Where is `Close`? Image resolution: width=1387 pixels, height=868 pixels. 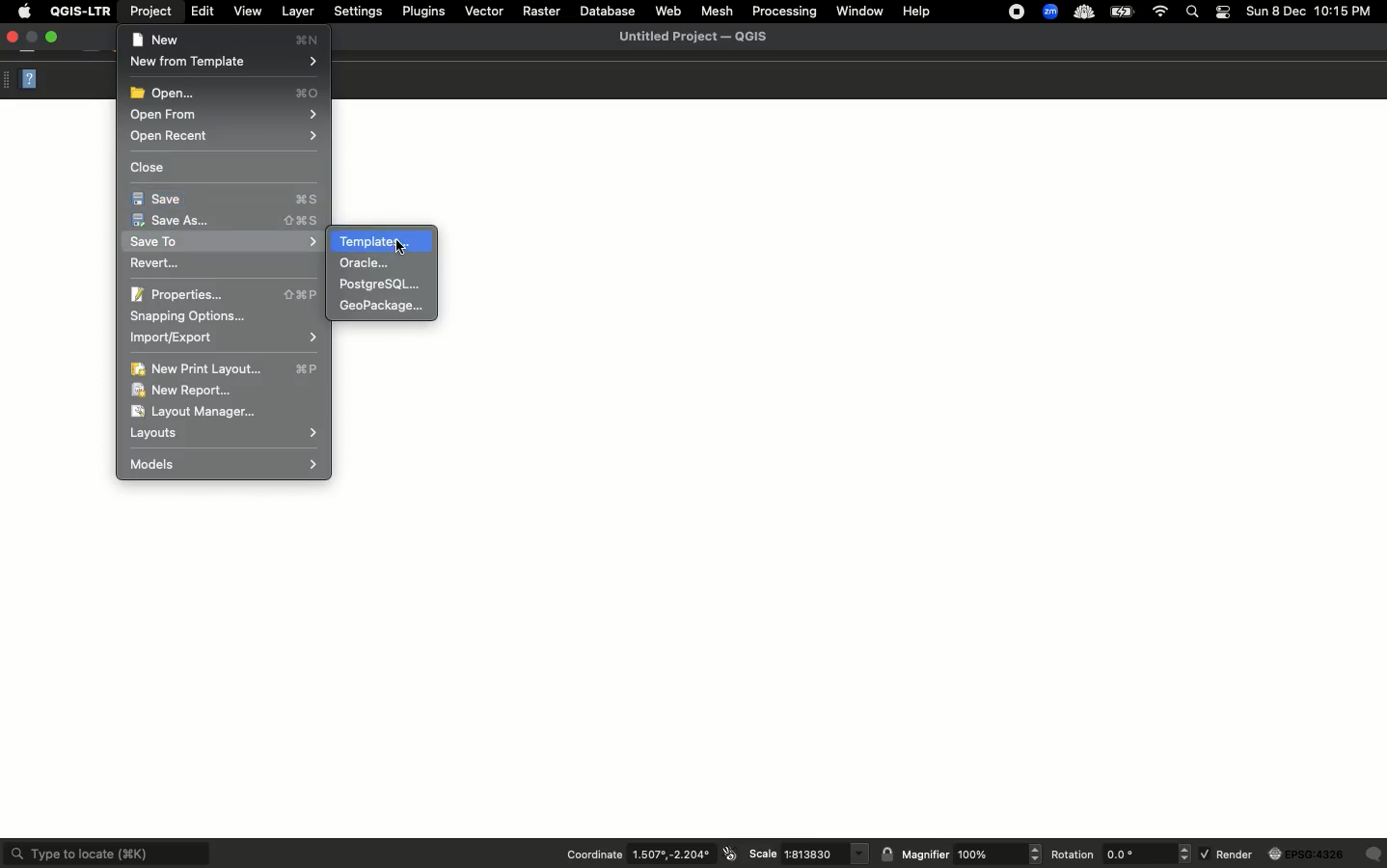 Close is located at coordinates (14, 38).